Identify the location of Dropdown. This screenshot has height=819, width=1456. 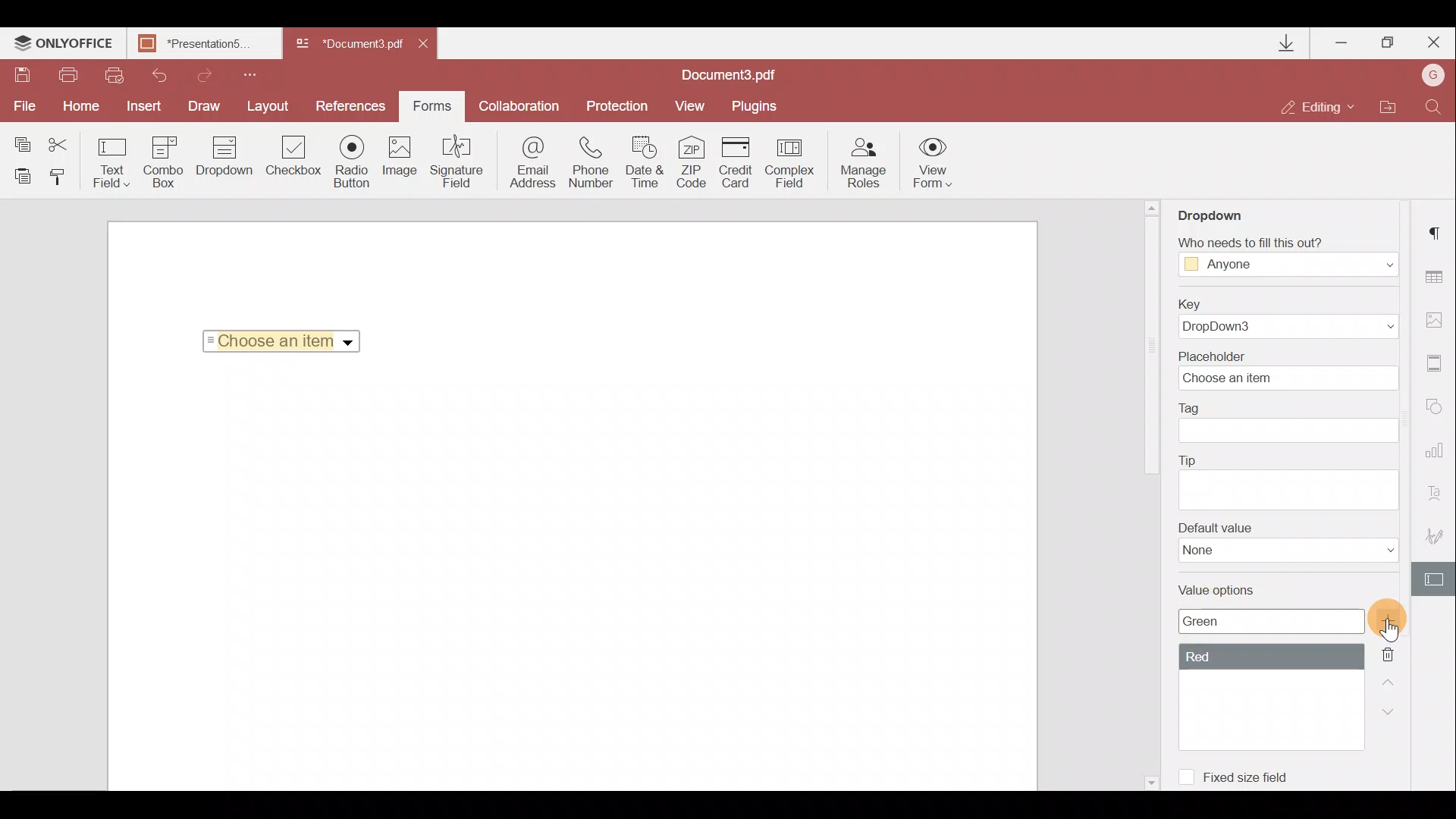
(1216, 214).